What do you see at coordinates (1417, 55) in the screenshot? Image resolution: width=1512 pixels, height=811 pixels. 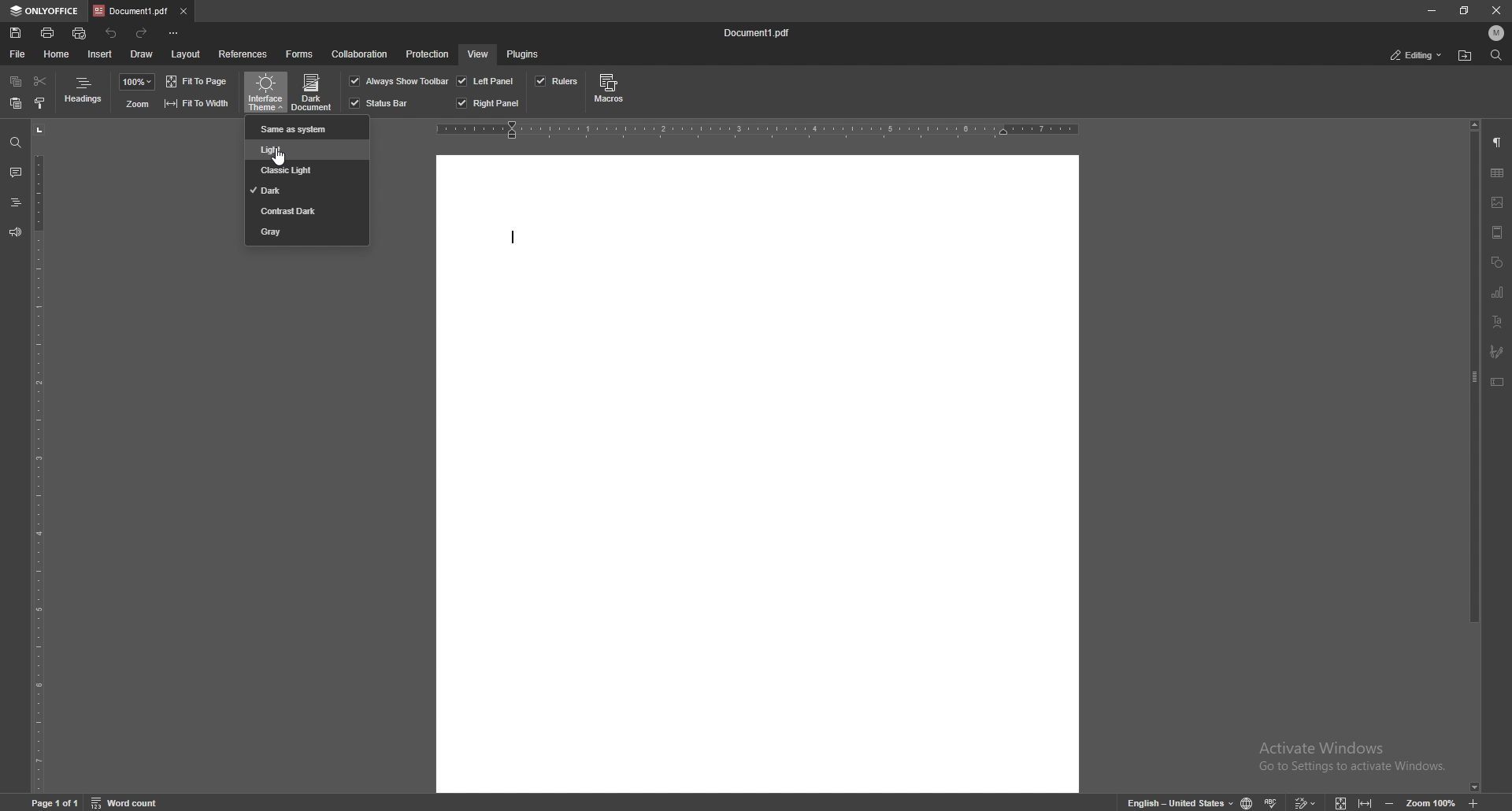 I see `status` at bounding box center [1417, 55].